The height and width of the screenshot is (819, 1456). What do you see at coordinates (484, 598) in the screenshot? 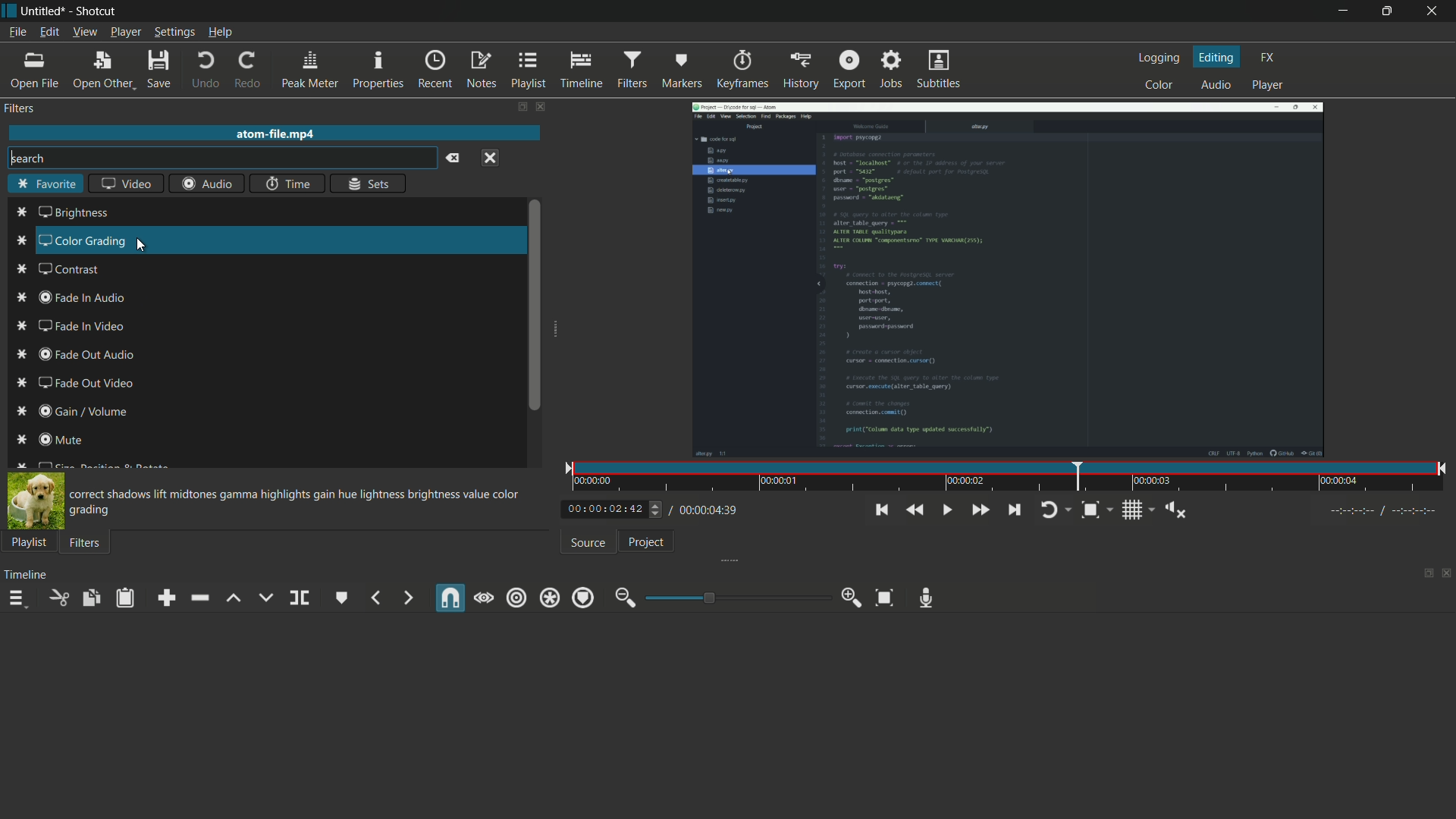
I see `scrub while dragging` at bounding box center [484, 598].